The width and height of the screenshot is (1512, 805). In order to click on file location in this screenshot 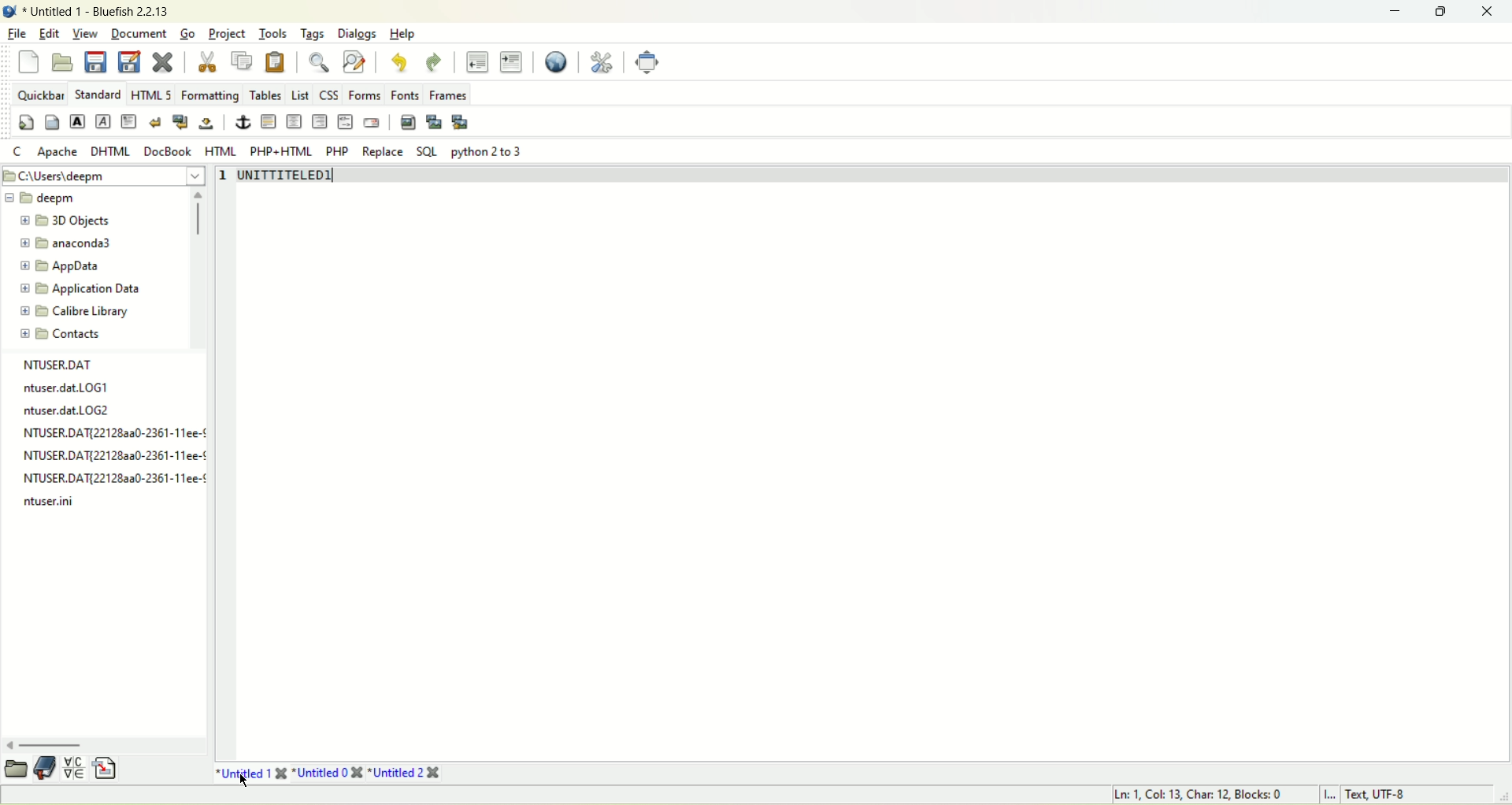, I will do `click(67, 176)`.